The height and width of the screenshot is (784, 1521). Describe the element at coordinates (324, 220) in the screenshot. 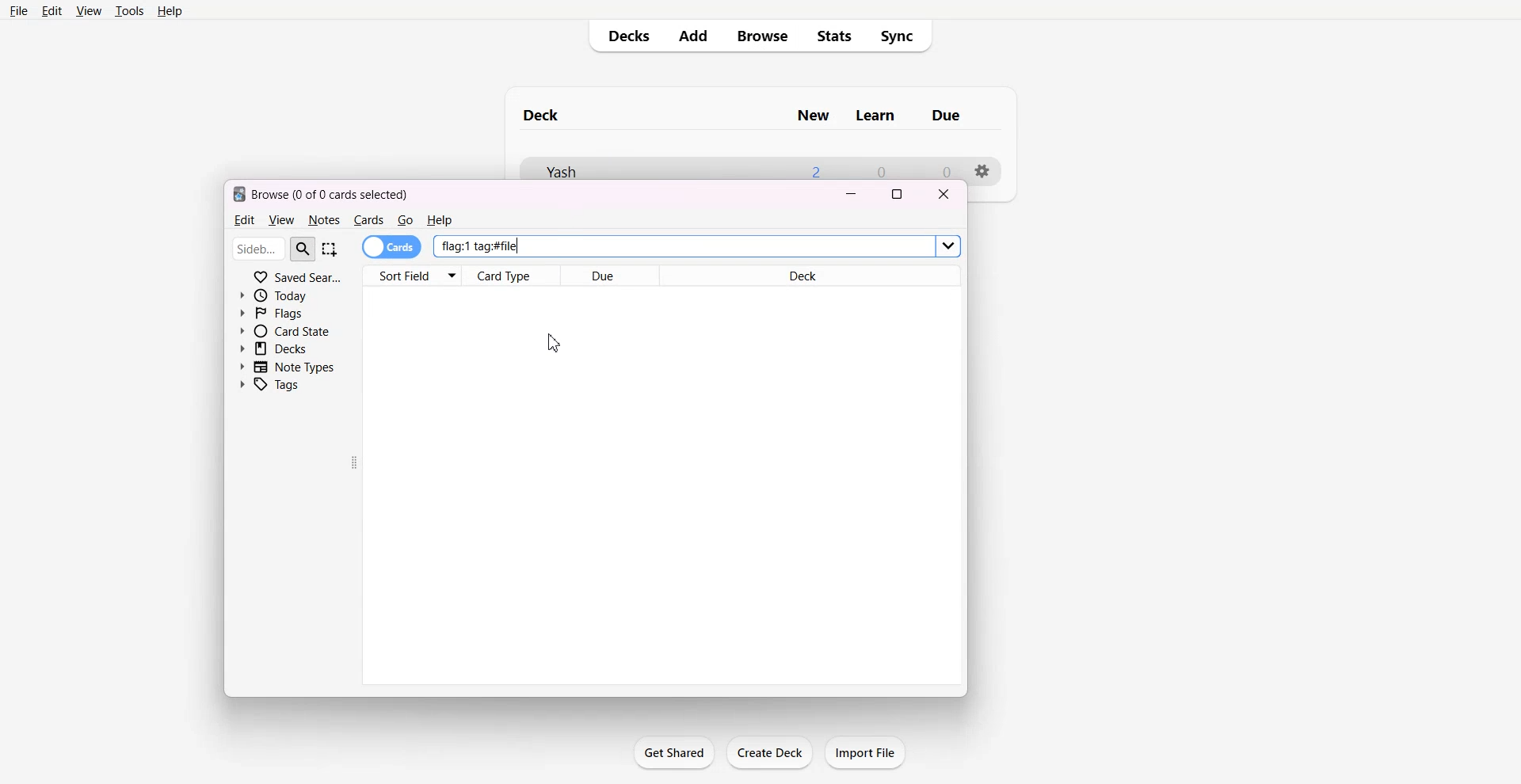

I see `Notes` at that location.